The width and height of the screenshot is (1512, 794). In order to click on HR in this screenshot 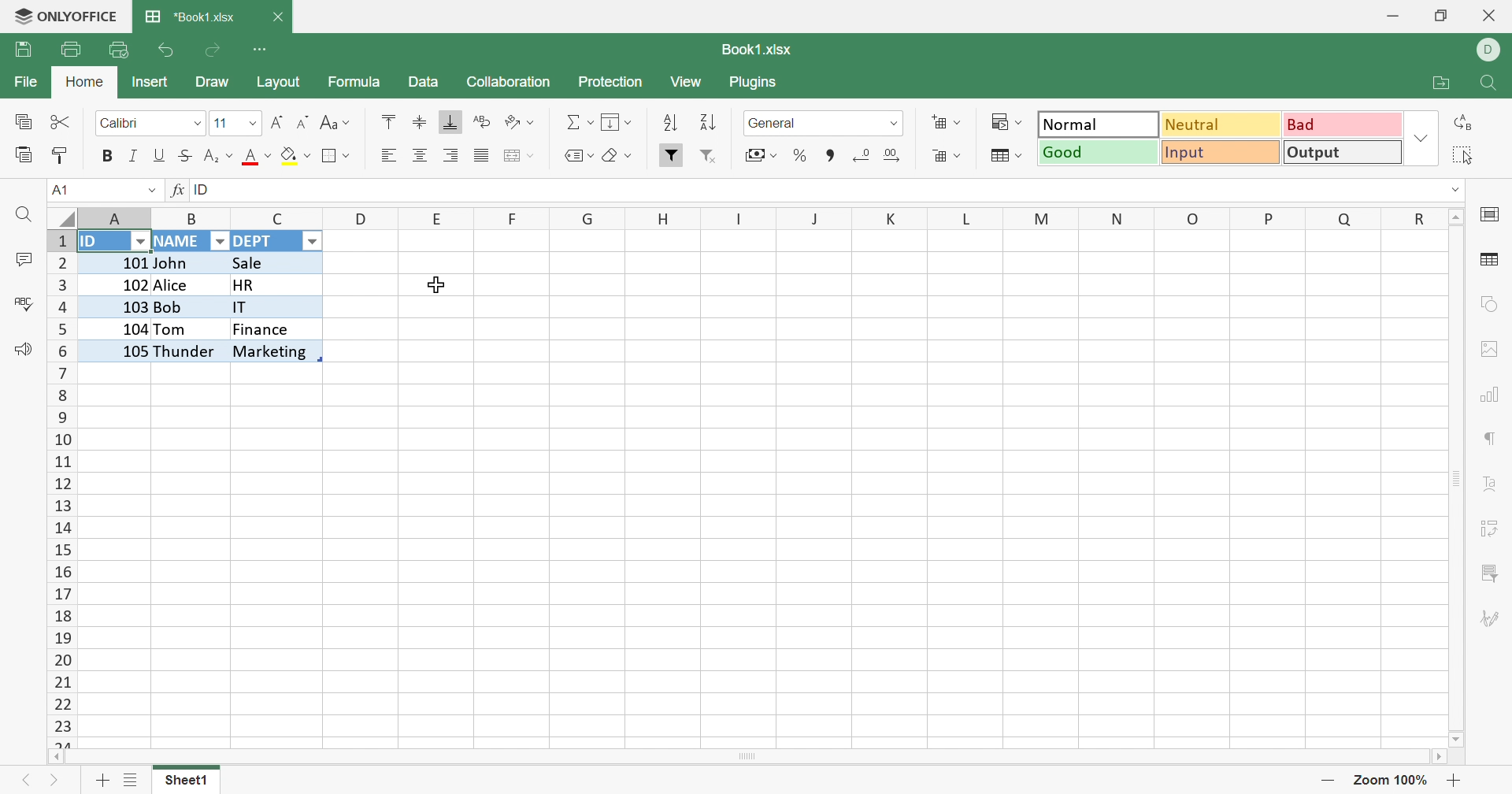, I will do `click(273, 284)`.